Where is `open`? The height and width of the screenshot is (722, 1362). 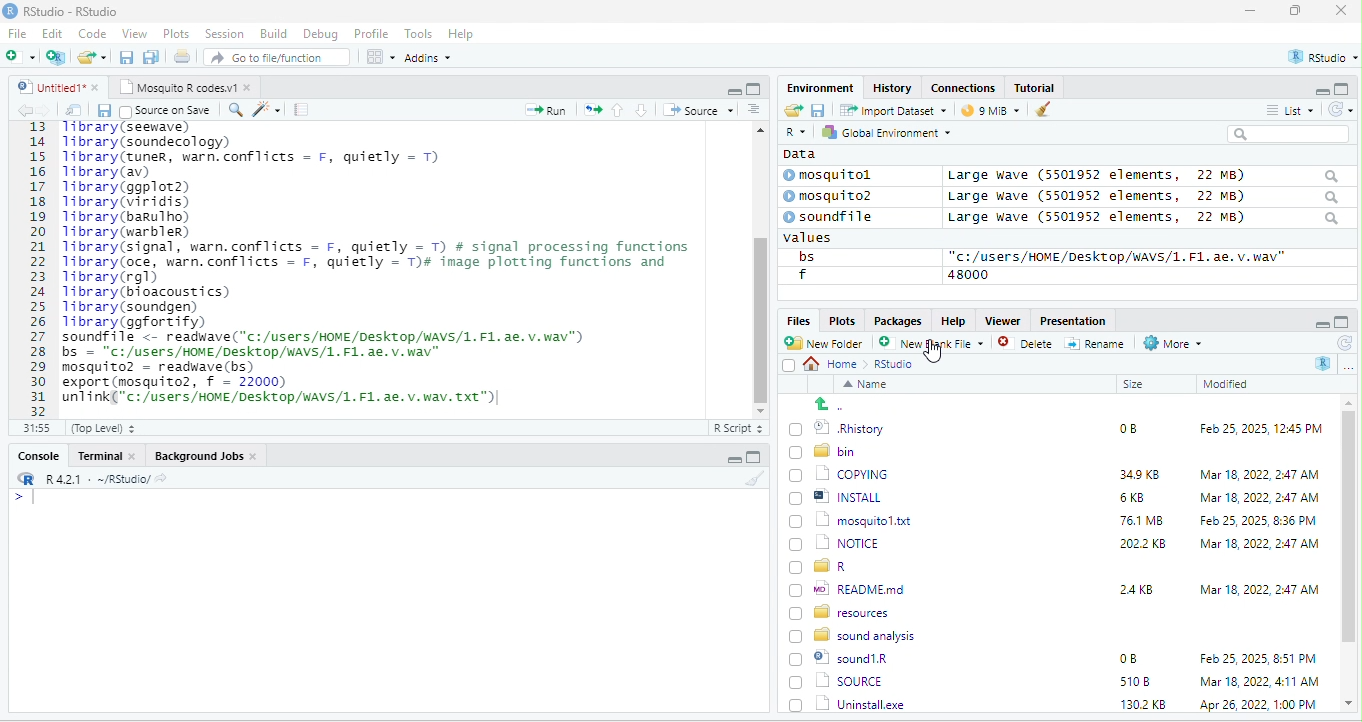
open is located at coordinates (74, 110).